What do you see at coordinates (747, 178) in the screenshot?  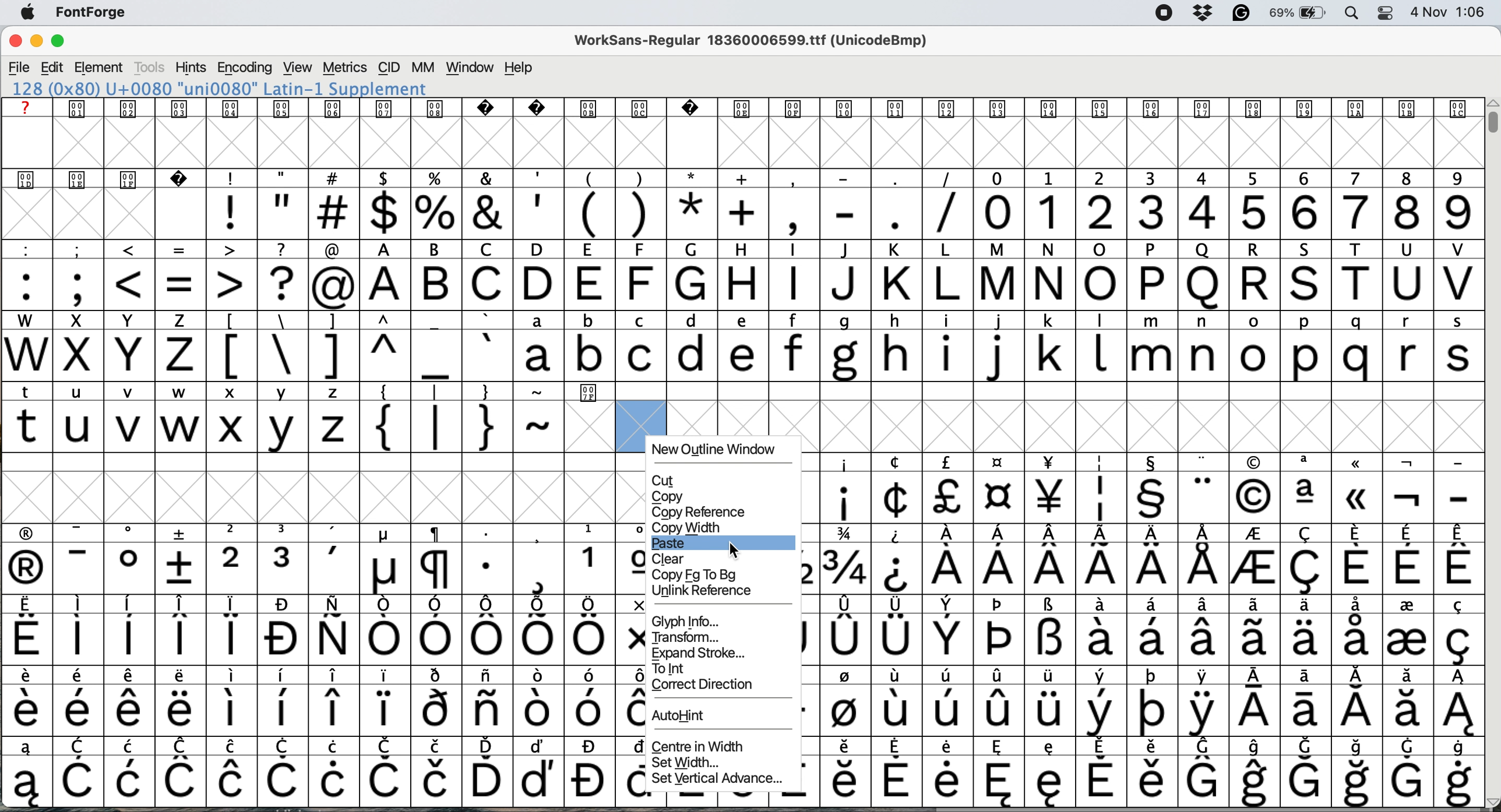 I see `special characters and text` at bounding box center [747, 178].